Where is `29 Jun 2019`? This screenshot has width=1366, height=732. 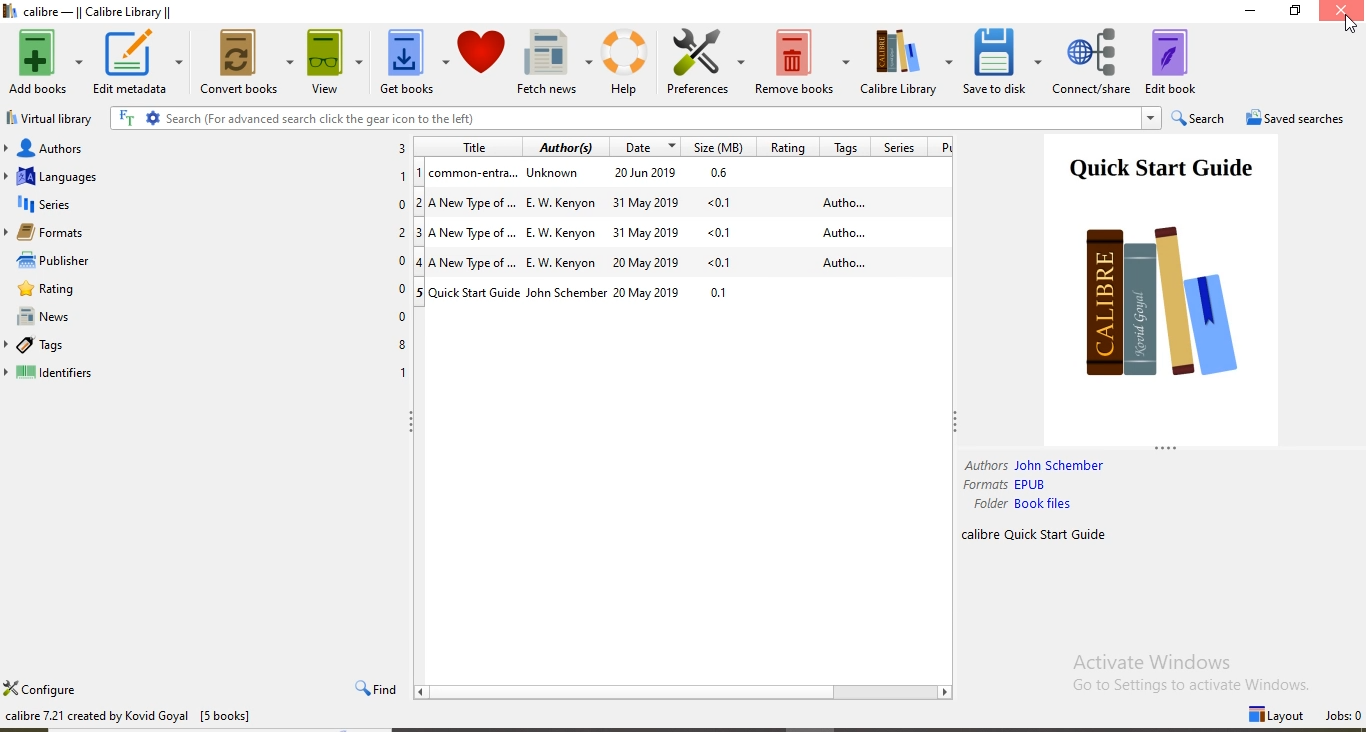
29 Jun 2019 is located at coordinates (649, 173).